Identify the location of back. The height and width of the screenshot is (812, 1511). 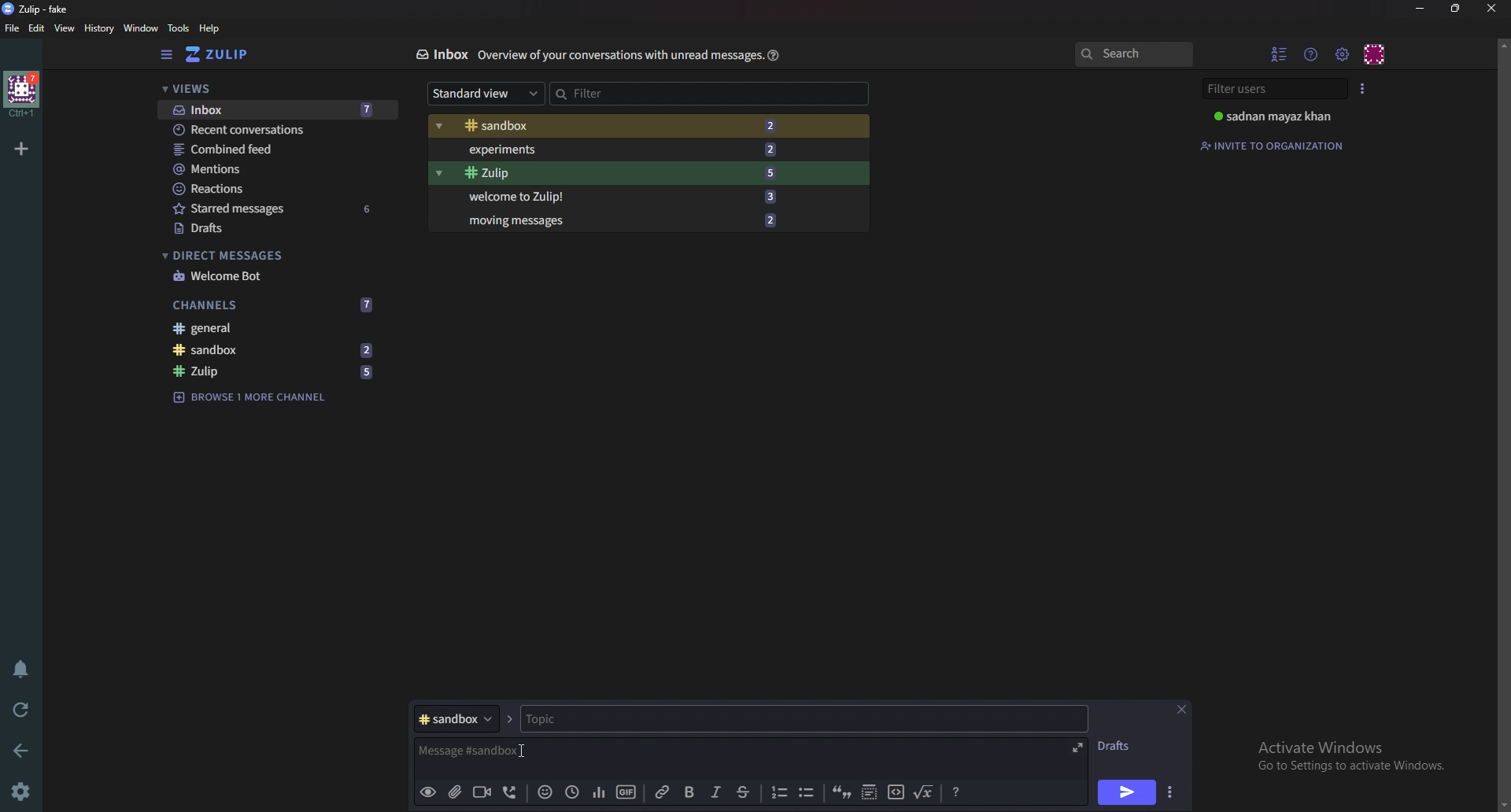
(24, 748).